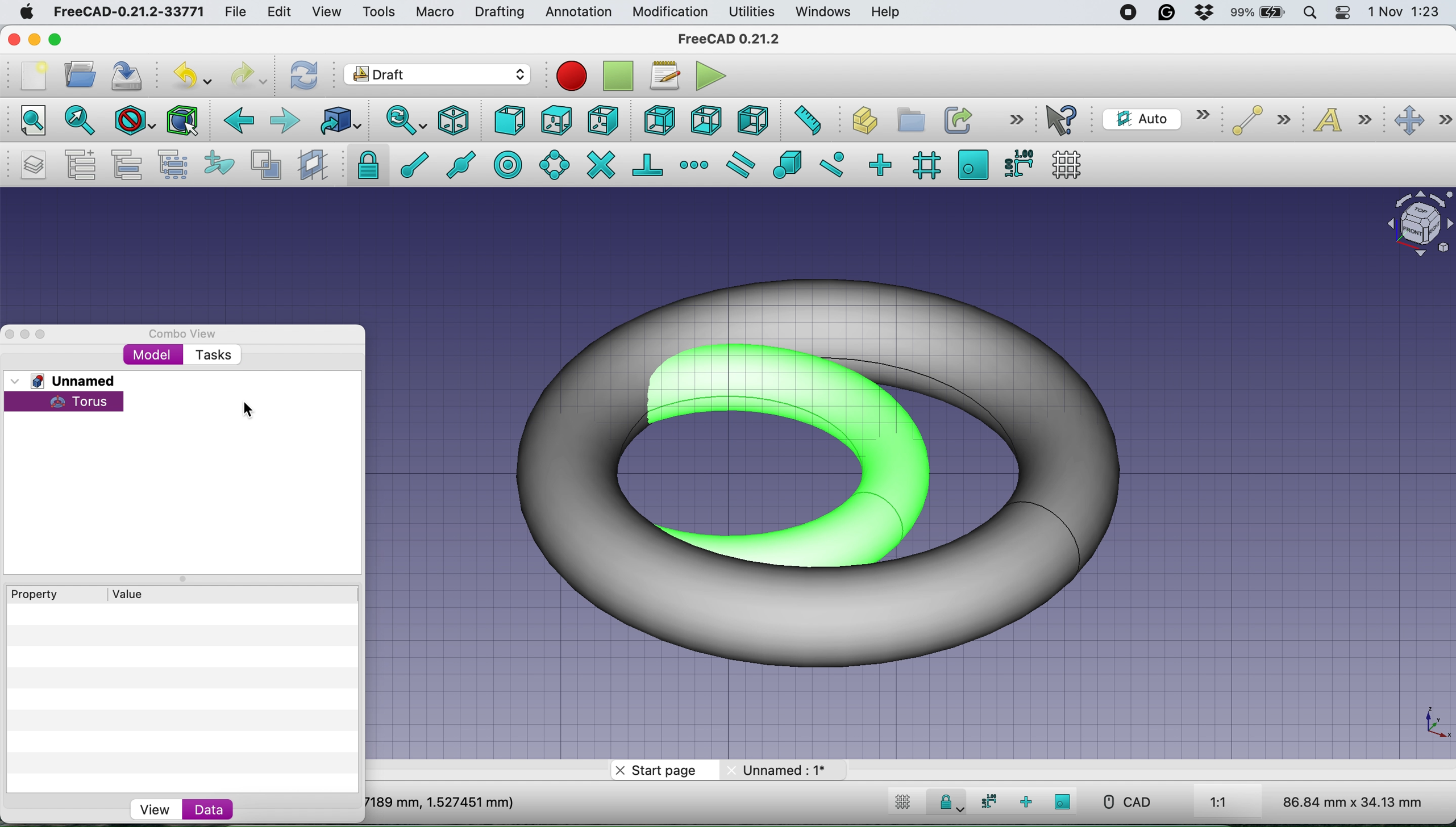 The width and height of the screenshot is (1456, 827). What do you see at coordinates (240, 12) in the screenshot?
I see `file` at bounding box center [240, 12].